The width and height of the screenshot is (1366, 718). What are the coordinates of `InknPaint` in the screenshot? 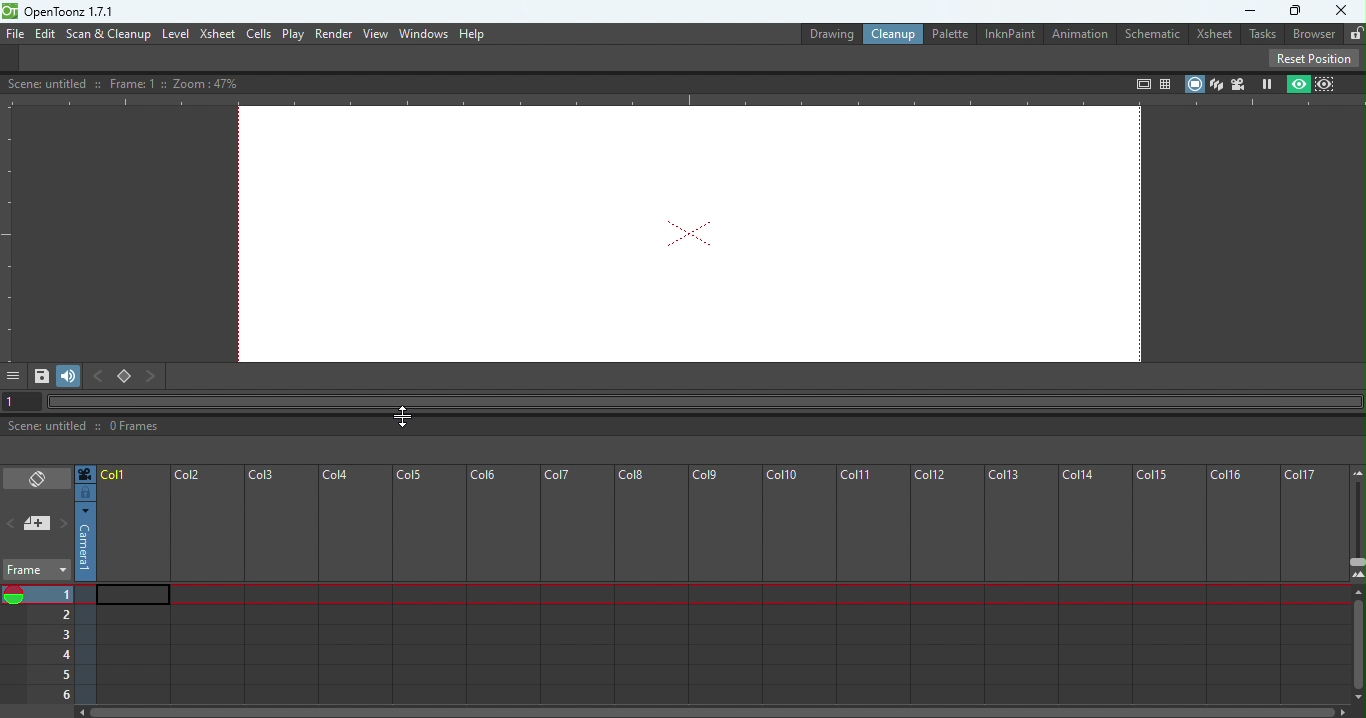 It's located at (1013, 33).